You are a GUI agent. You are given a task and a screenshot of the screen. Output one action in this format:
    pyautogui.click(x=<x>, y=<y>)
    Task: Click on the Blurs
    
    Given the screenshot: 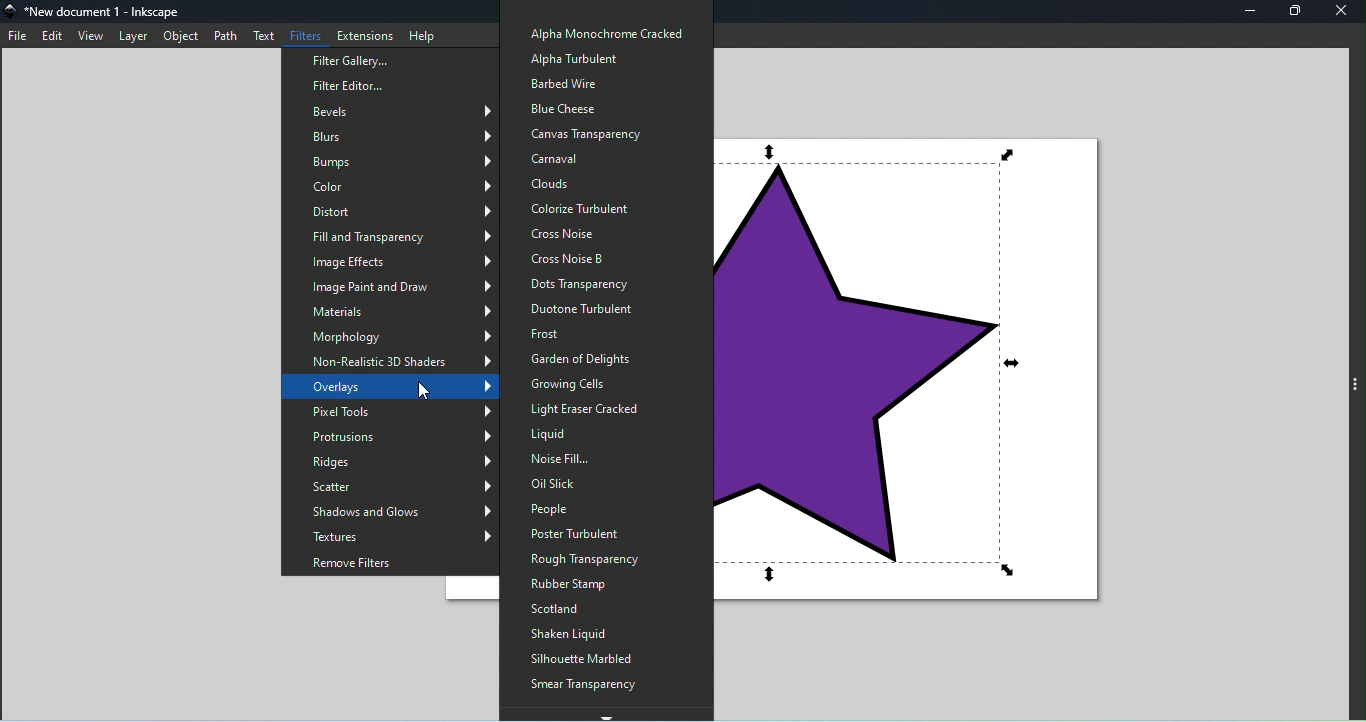 What is the action you would take?
    pyautogui.click(x=398, y=136)
    